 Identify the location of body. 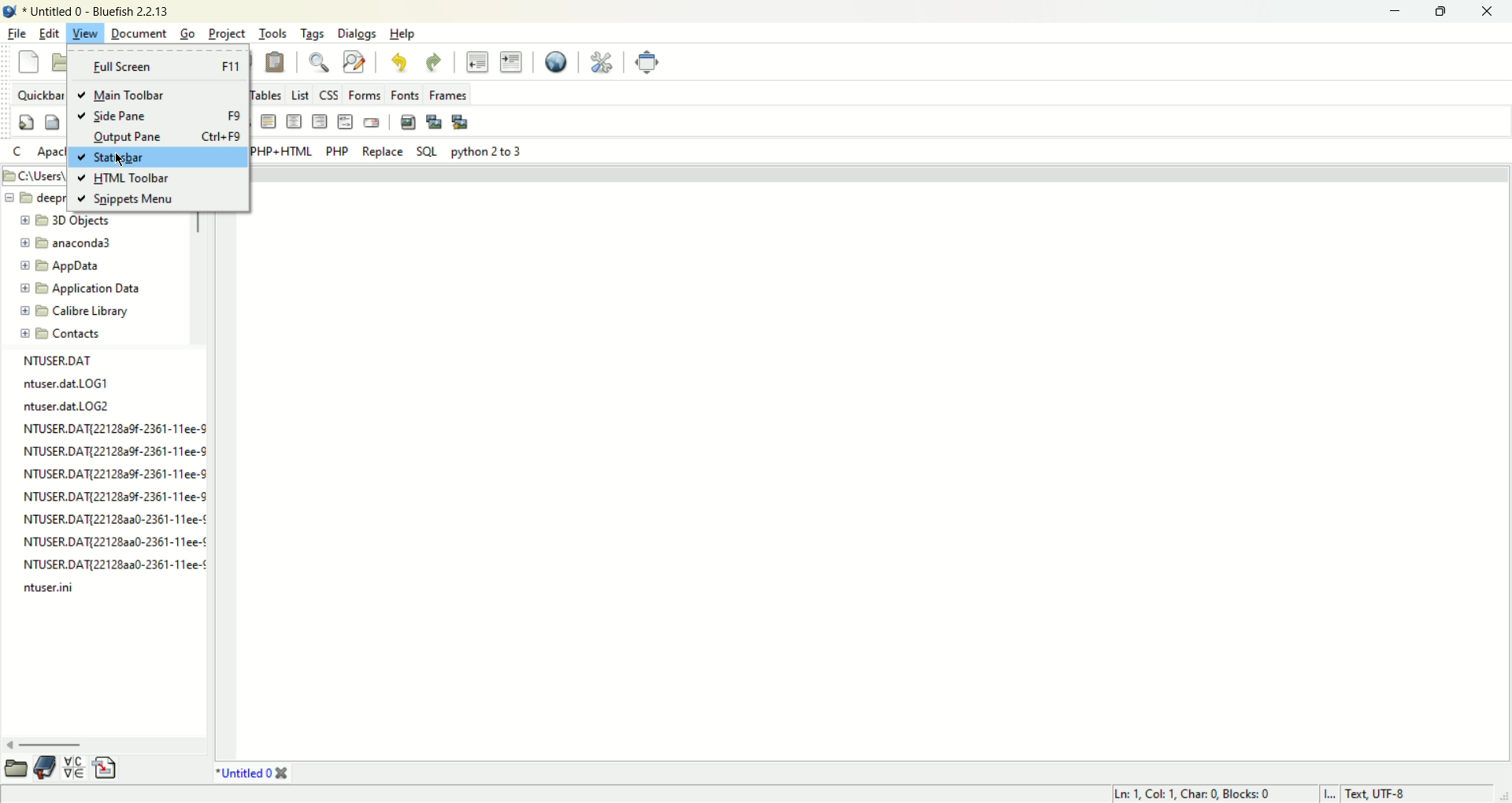
(54, 122).